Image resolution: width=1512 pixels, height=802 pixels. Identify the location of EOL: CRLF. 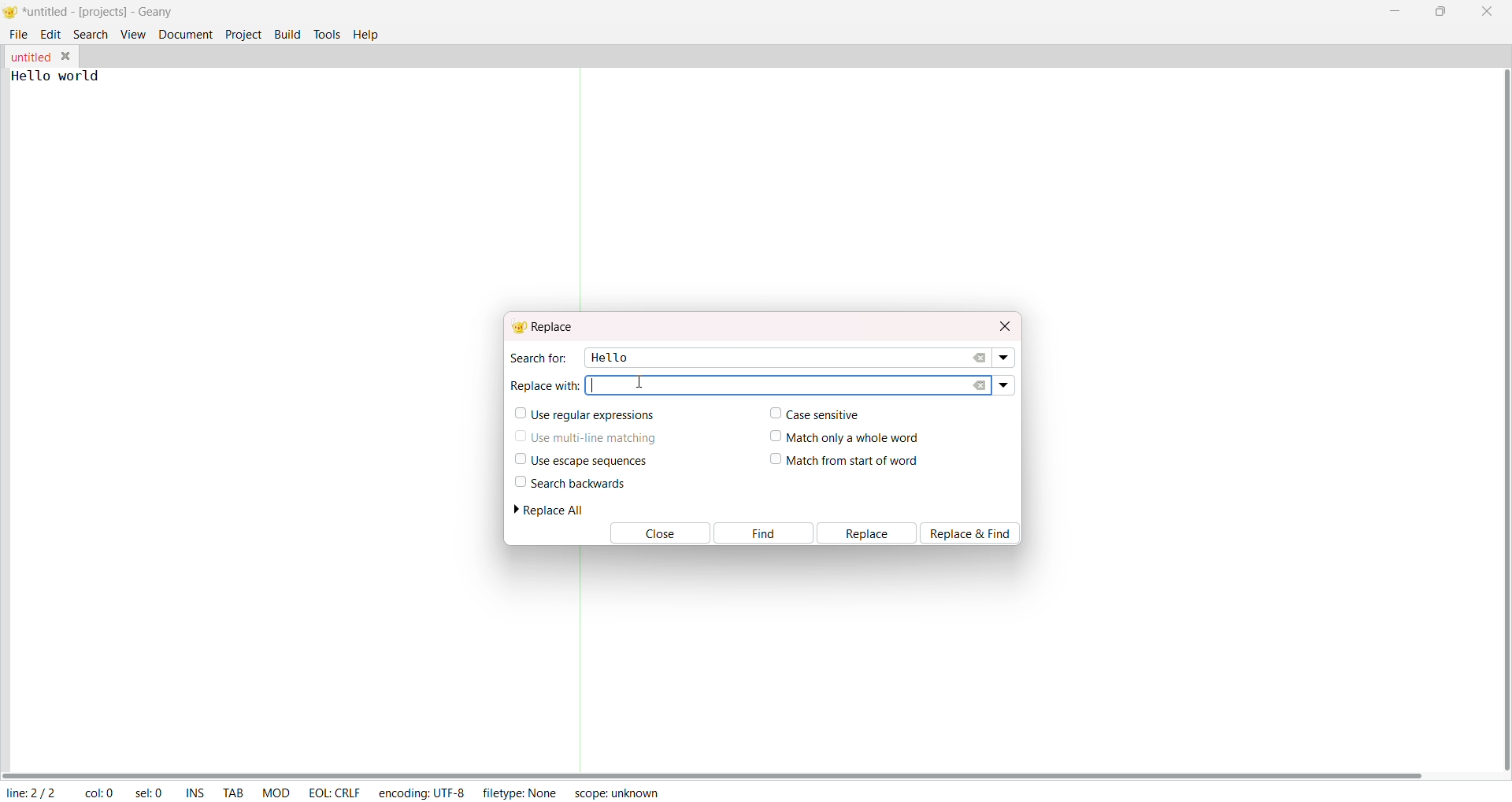
(334, 790).